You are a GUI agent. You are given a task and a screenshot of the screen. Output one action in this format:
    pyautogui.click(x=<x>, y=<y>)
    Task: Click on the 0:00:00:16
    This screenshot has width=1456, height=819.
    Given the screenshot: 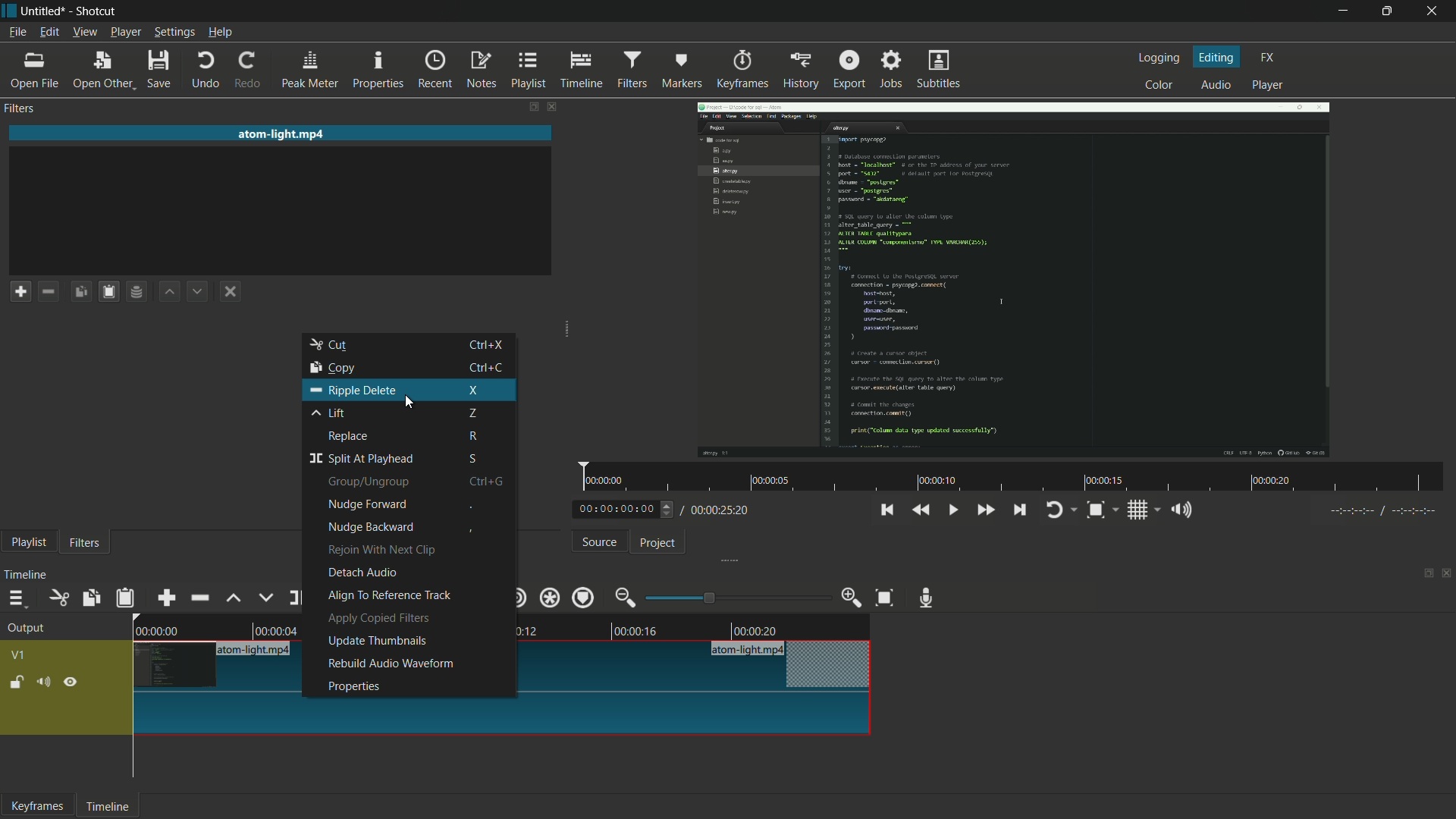 What is the action you would take?
    pyautogui.click(x=640, y=632)
    